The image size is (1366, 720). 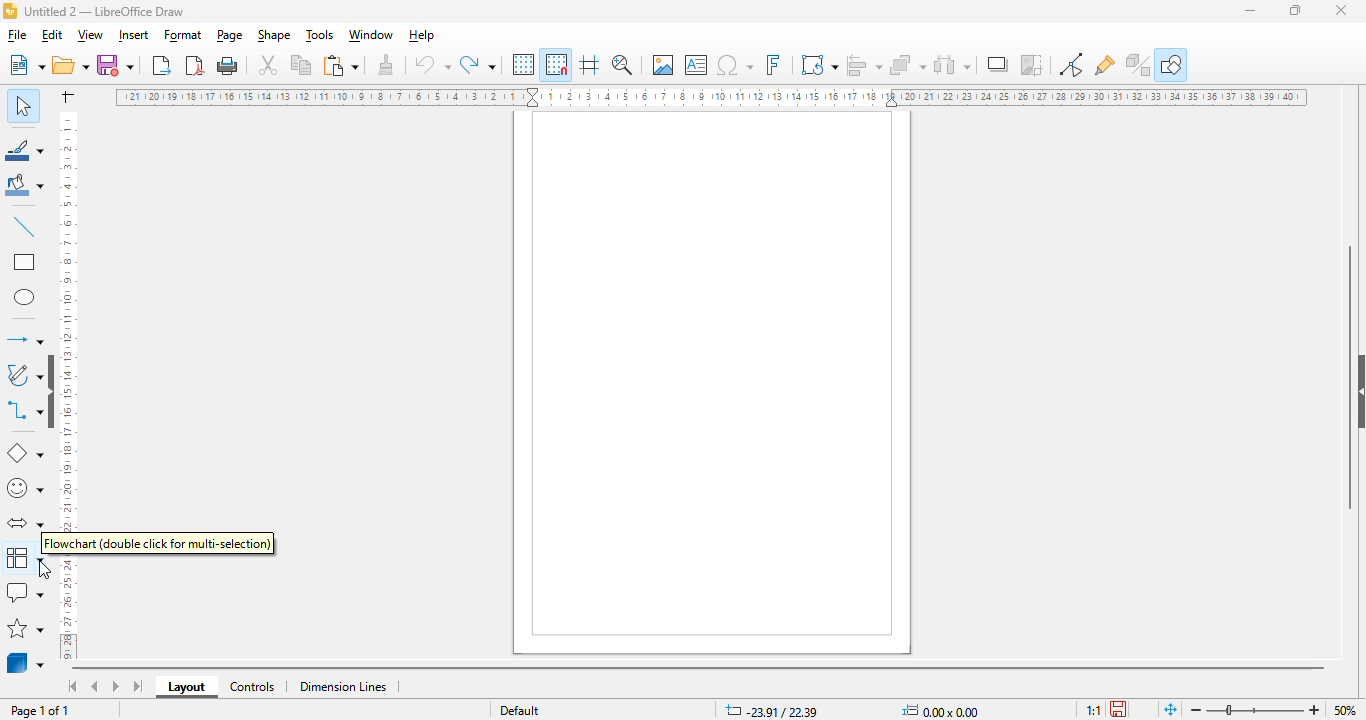 What do you see at coordinates (196, 66) in the screenshot?
I see `export directly as PDF` at bounding box center [196, 66].